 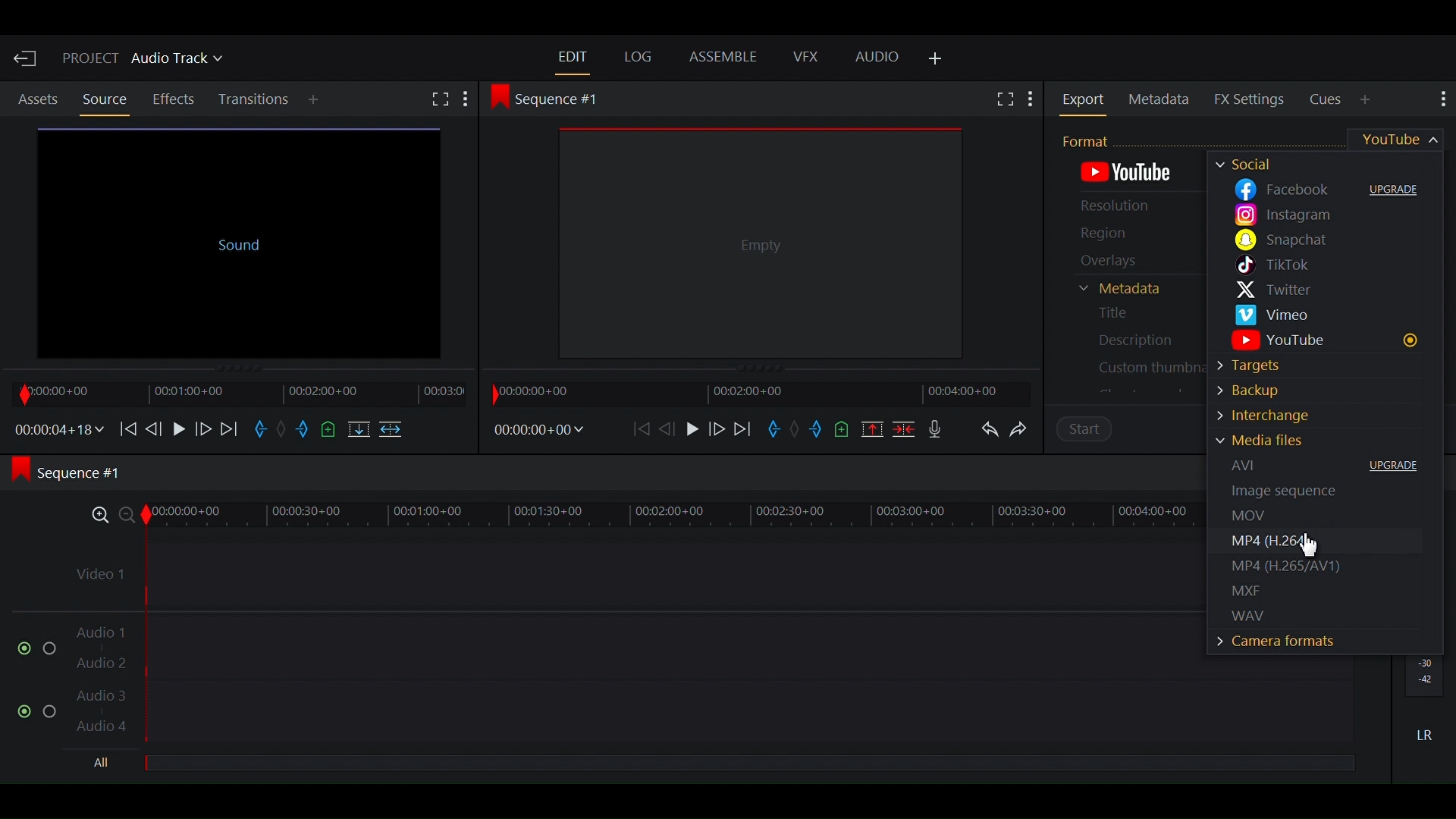 I want to click on Backup, so click(x=1320, y=391).